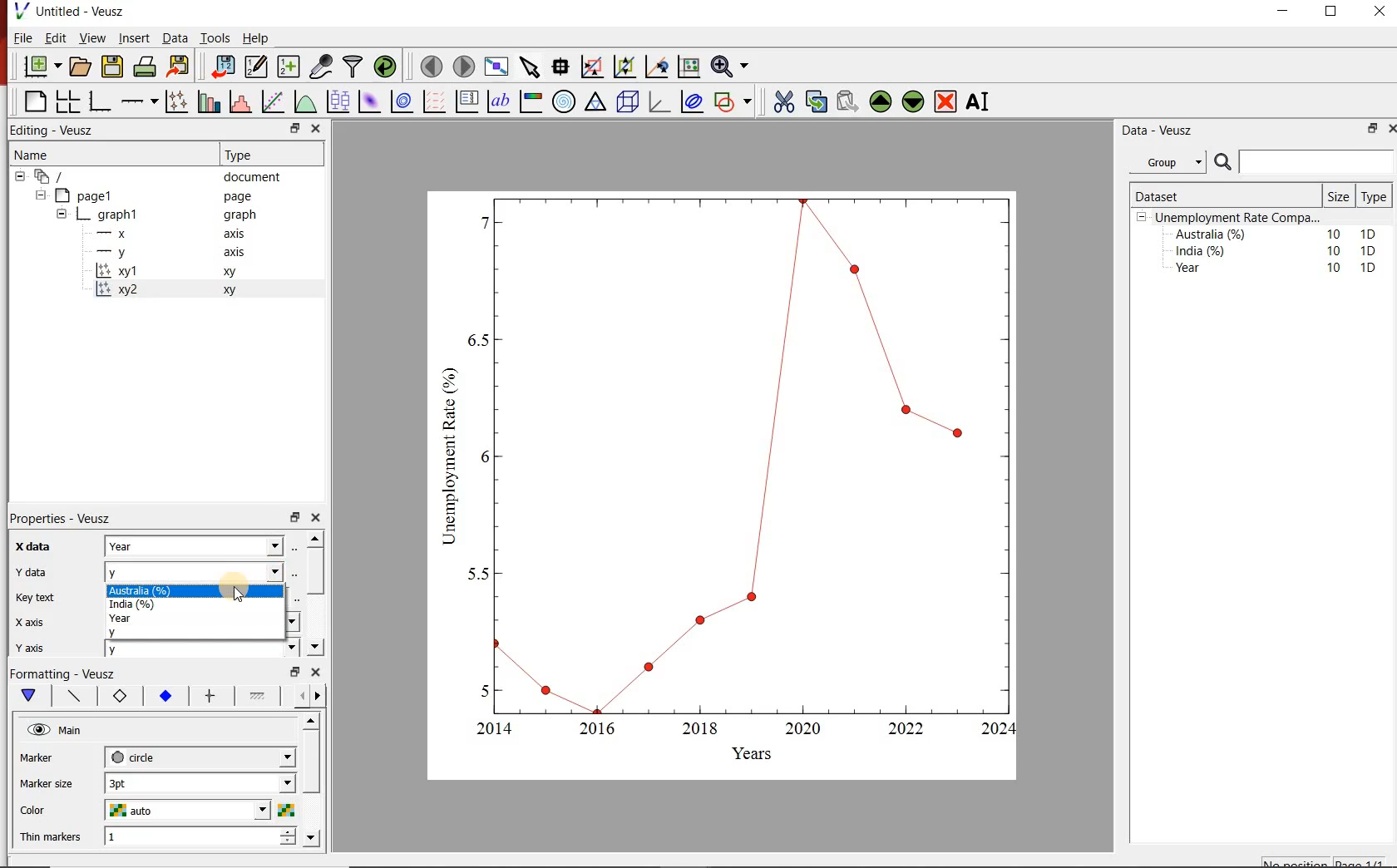 This screenshot has width=1397, height=868. Describe the element at coordinates (256, 38) in the screenshot. I see `Help` at that location.